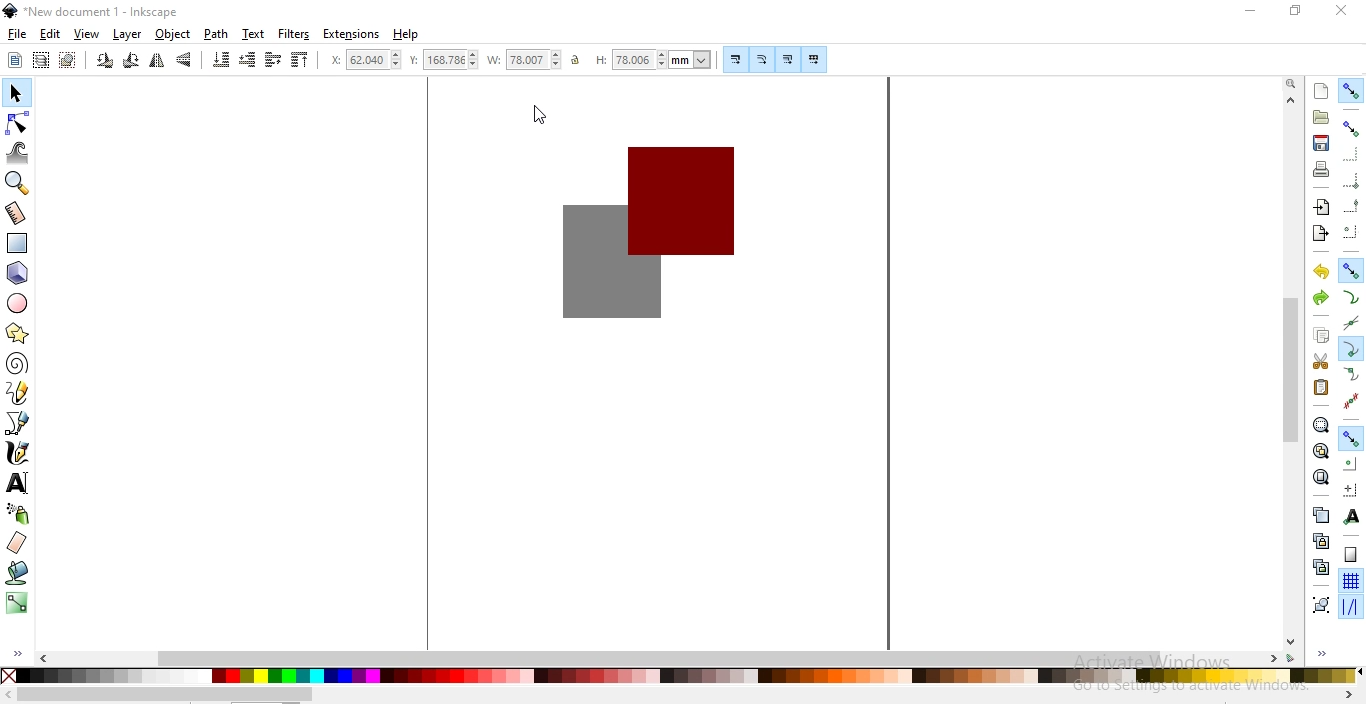 This screenshot has width=1366, height=704. What do you see at coordinates (300, 62) in the screenshot?
I see `raise selection to top` at bounding box center [300, 62].